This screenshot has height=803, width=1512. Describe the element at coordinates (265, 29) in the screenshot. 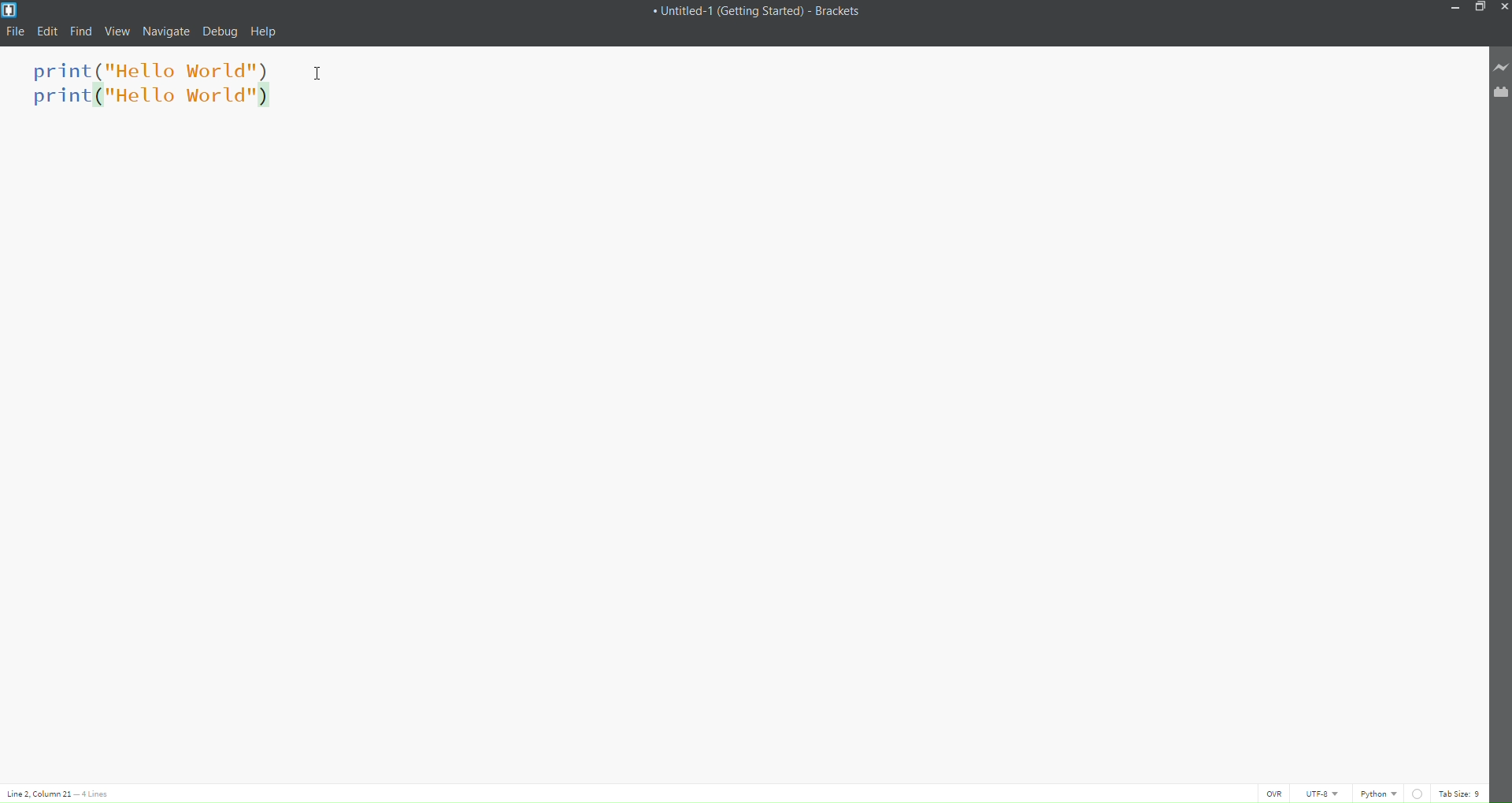

I see `help` at that location.